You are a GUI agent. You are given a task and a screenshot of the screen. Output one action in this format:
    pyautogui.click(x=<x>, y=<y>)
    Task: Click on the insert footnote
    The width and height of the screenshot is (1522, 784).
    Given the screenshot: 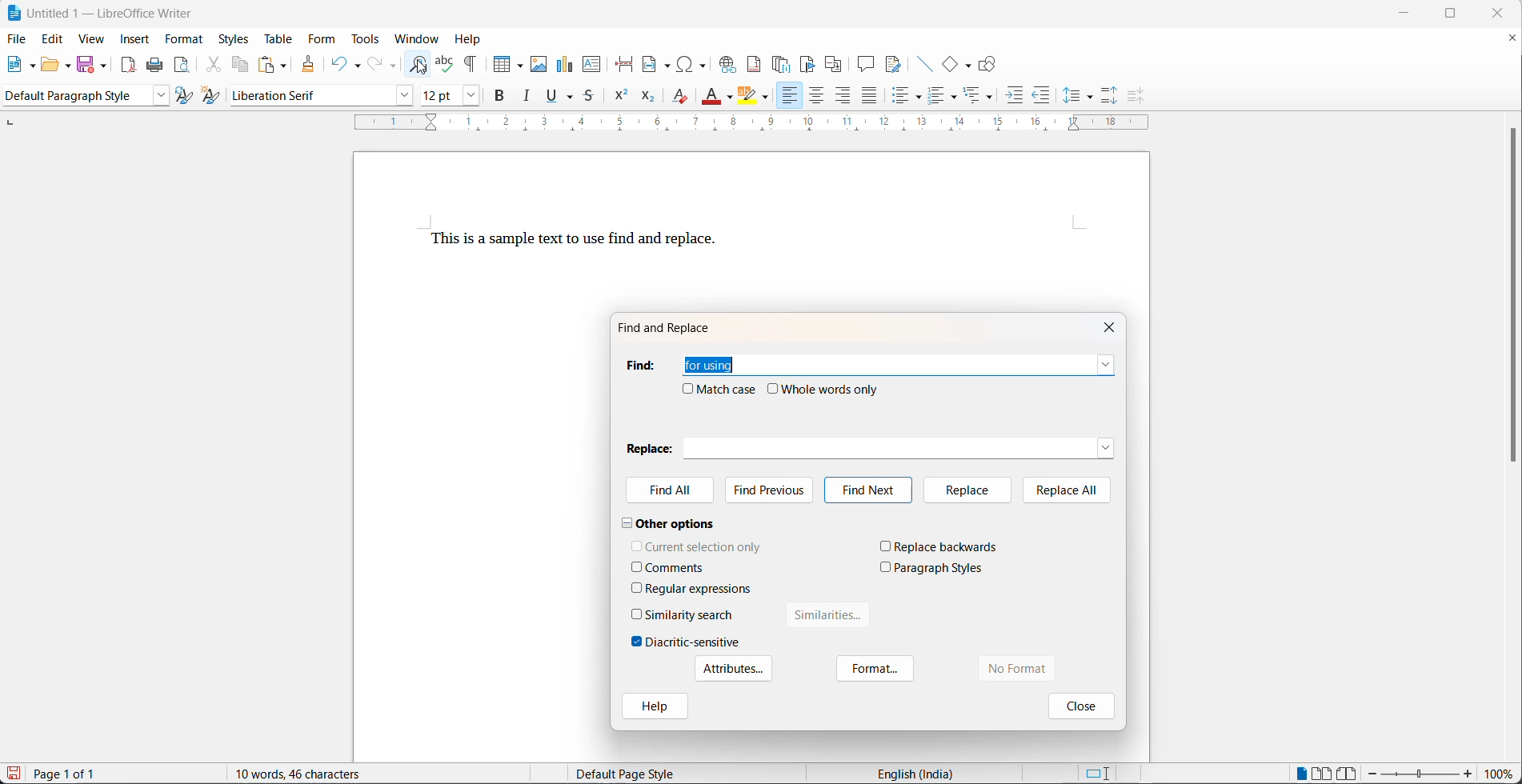 What is the action you would take?
    pyautogui.click(x=756, y=64)
    